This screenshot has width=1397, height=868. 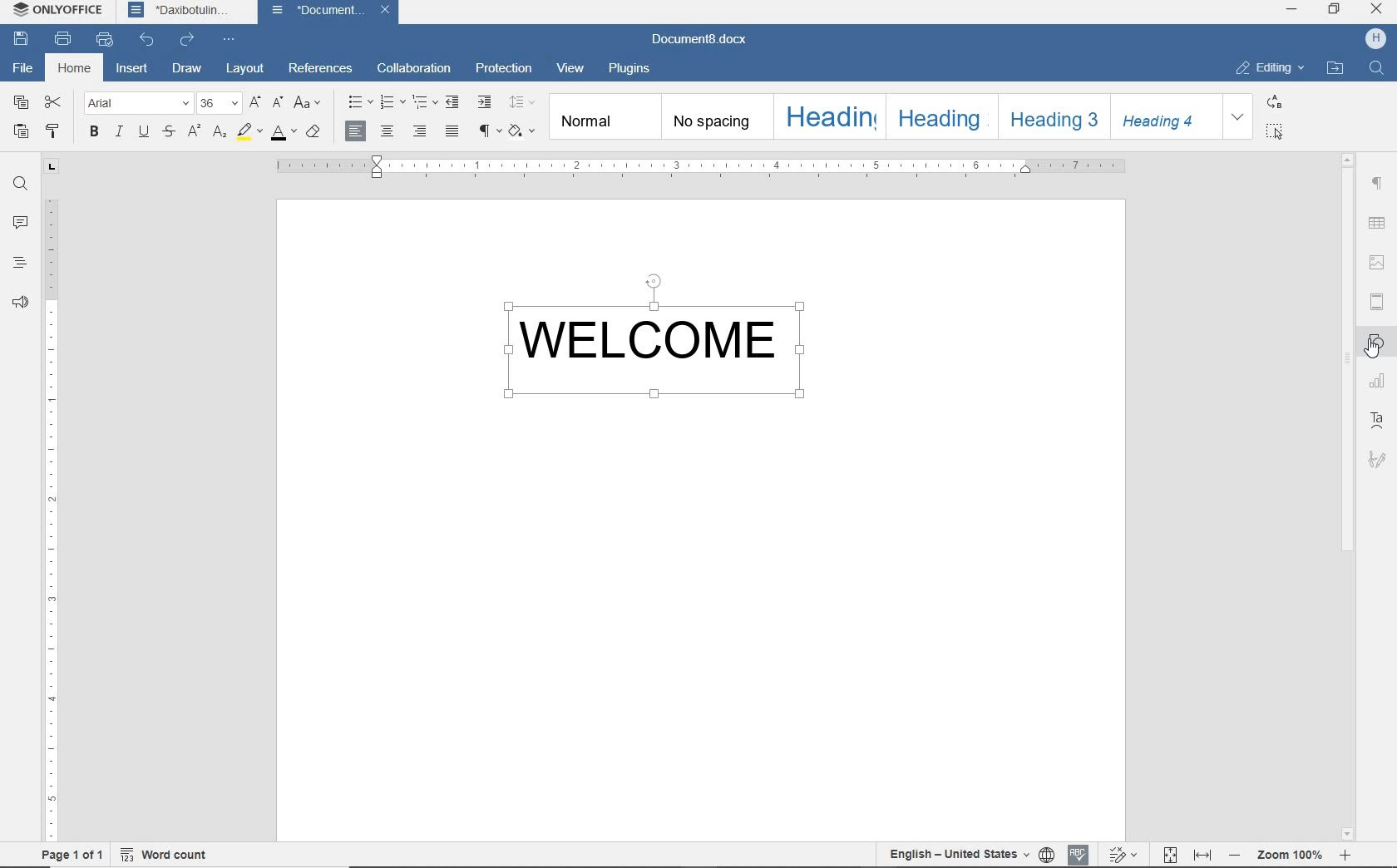 I want to click on INCREASE INDENT, so click(x=486, y=103).